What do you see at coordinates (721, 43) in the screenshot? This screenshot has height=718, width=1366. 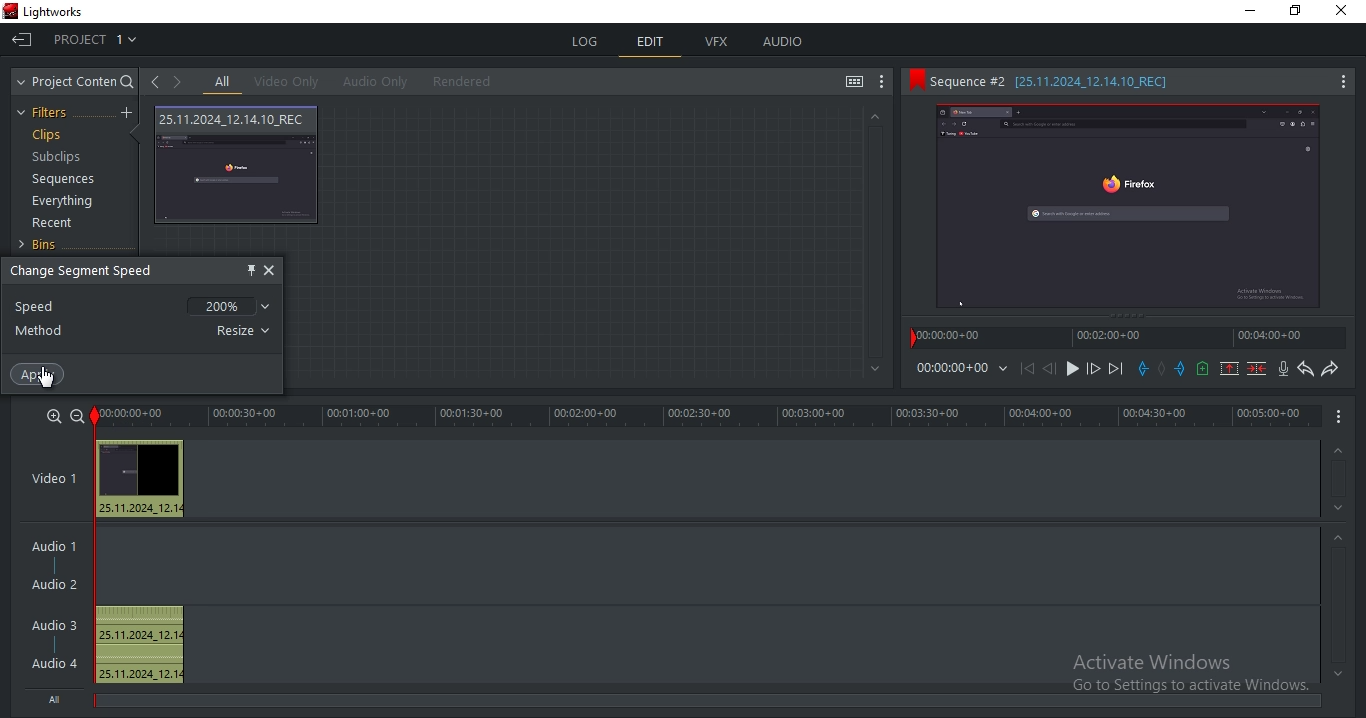 I see `vfx` at bounding box center [721, 43].